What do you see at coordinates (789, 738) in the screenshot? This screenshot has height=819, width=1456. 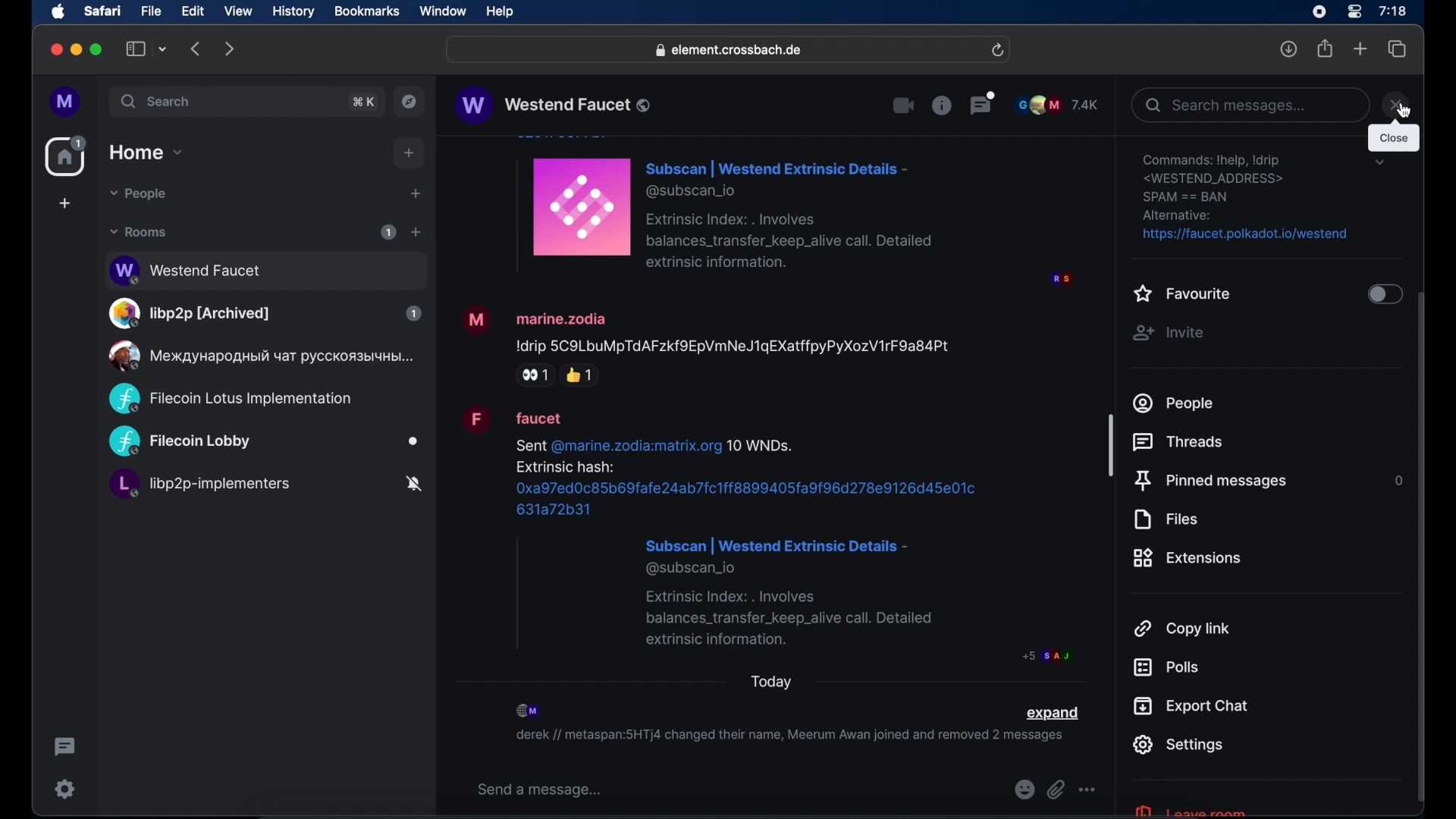 I see `room notification` at bounding box center [789, 738].